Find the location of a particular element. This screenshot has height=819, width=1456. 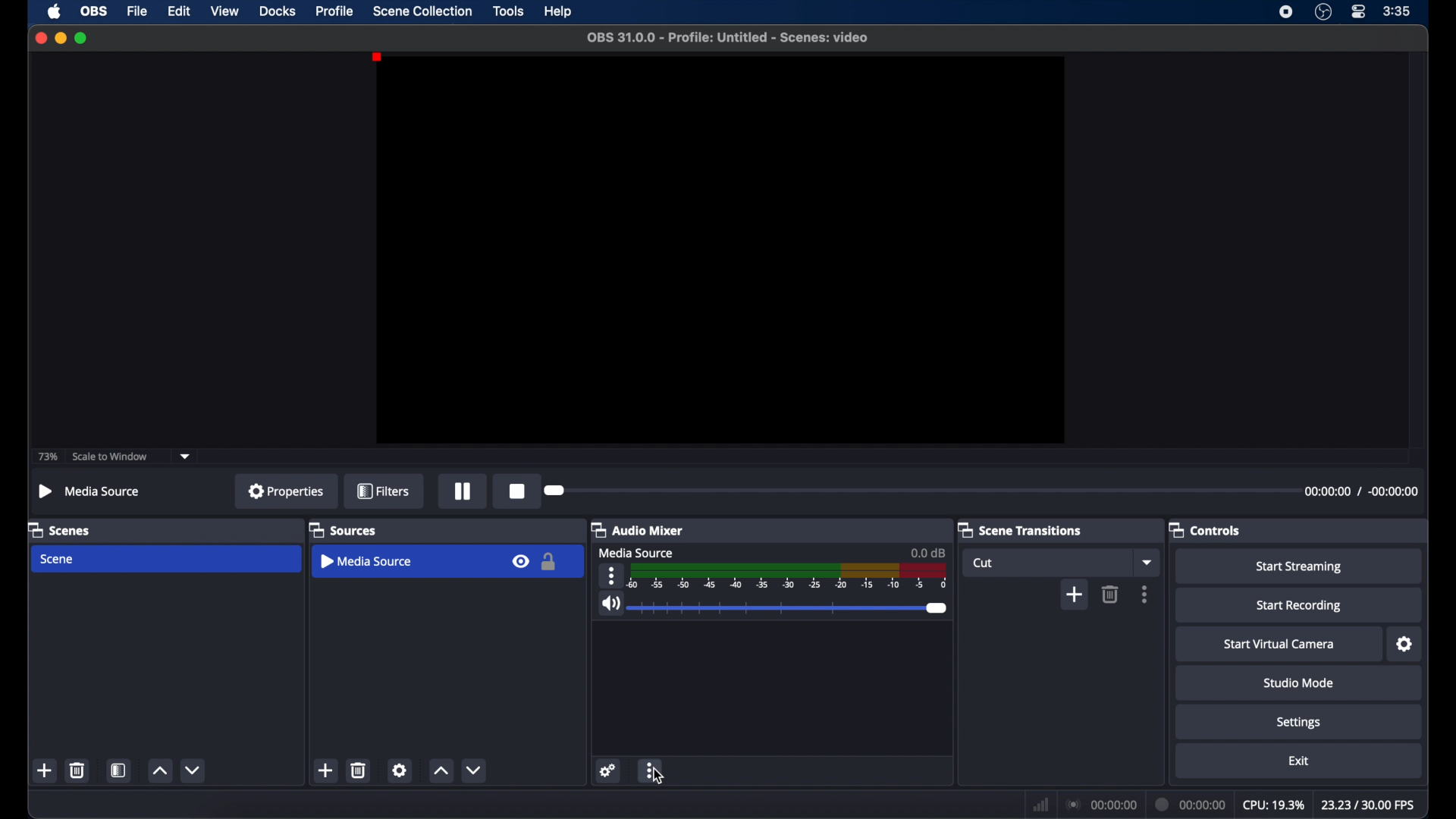

maximize is located at coordinates (82, 39).